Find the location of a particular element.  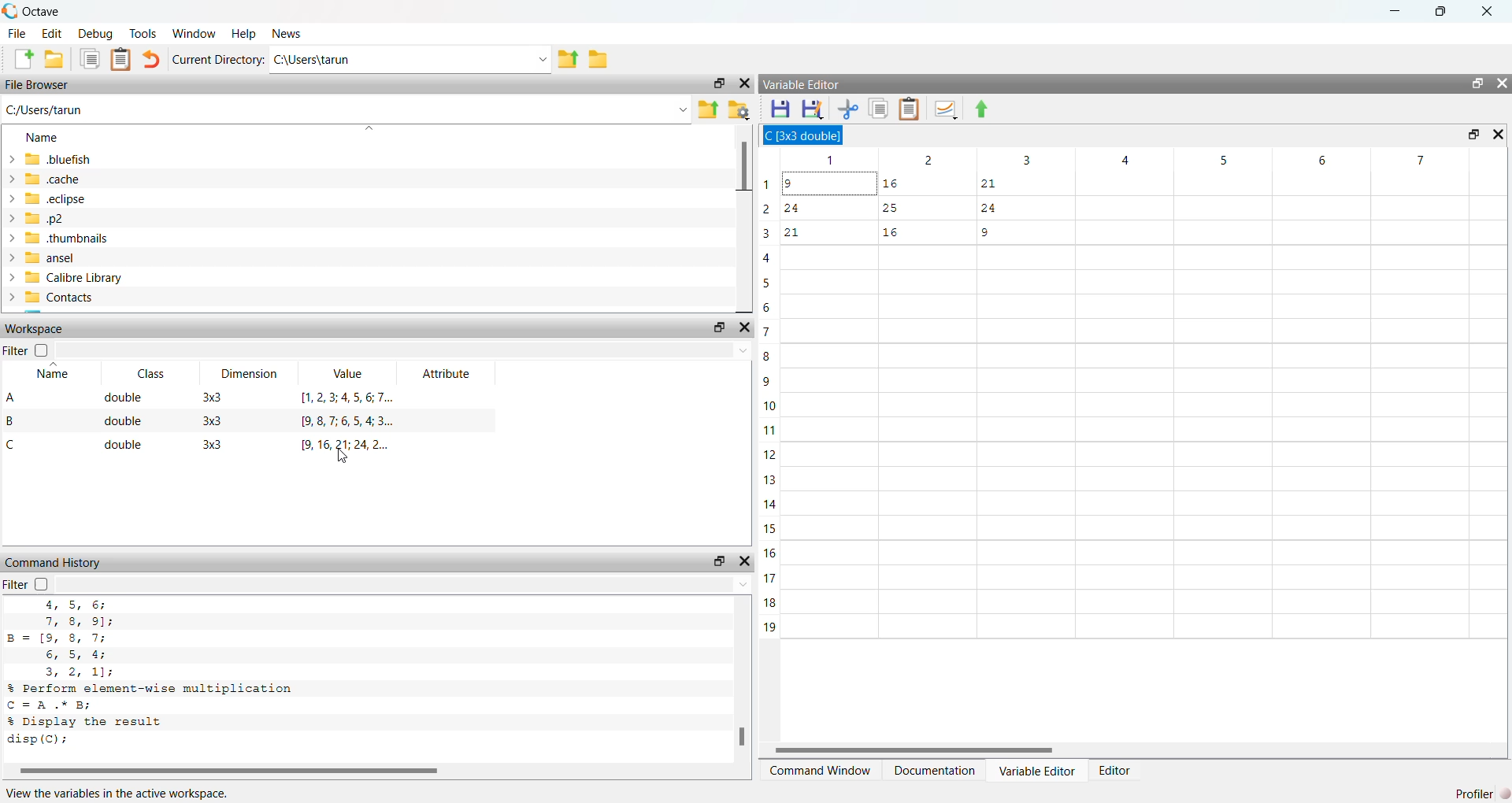

‘Command Window is located at coordinates (821, 772).